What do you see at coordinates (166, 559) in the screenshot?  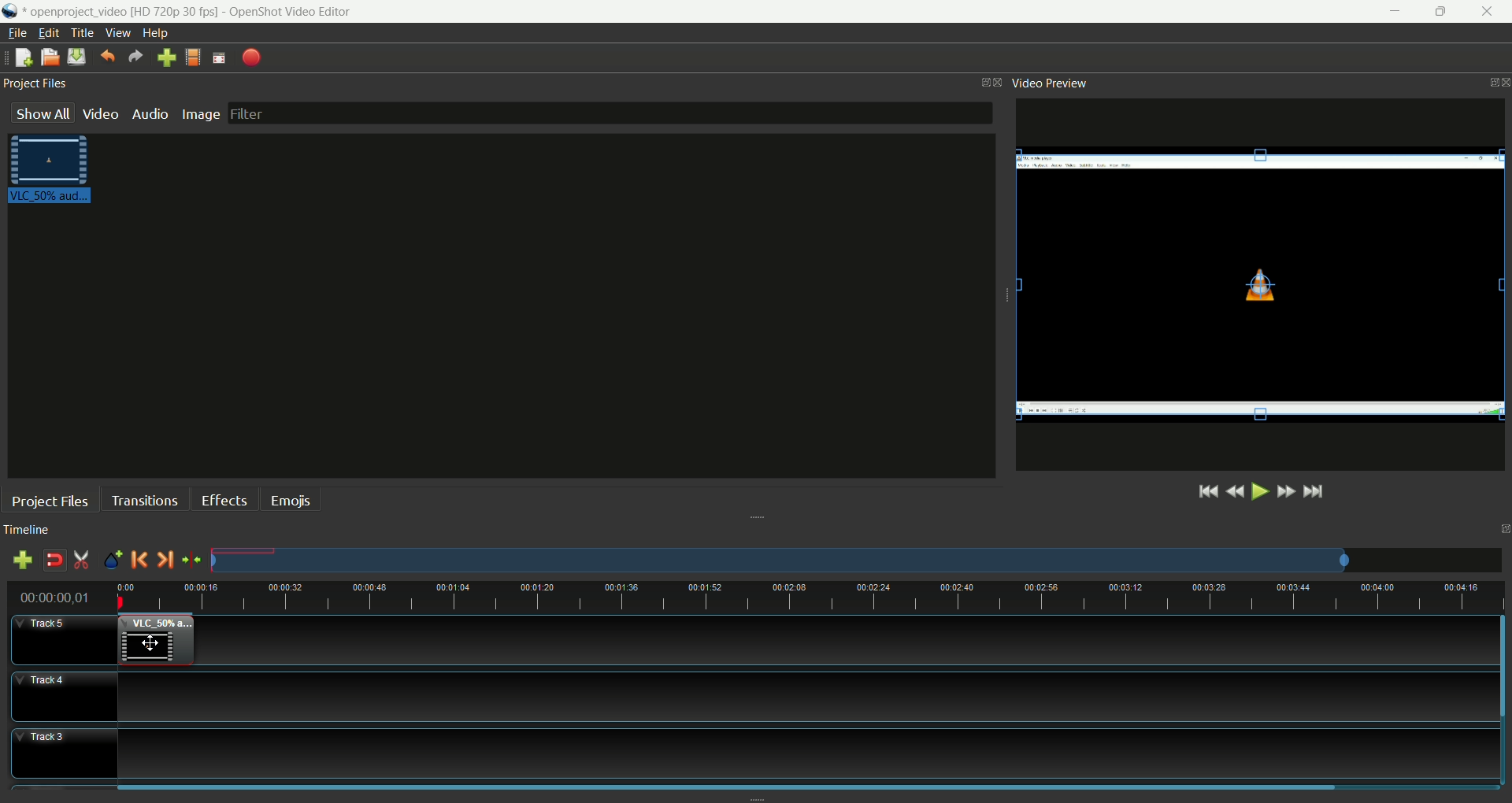 I see `next marker` at bounding box center [166, 559].